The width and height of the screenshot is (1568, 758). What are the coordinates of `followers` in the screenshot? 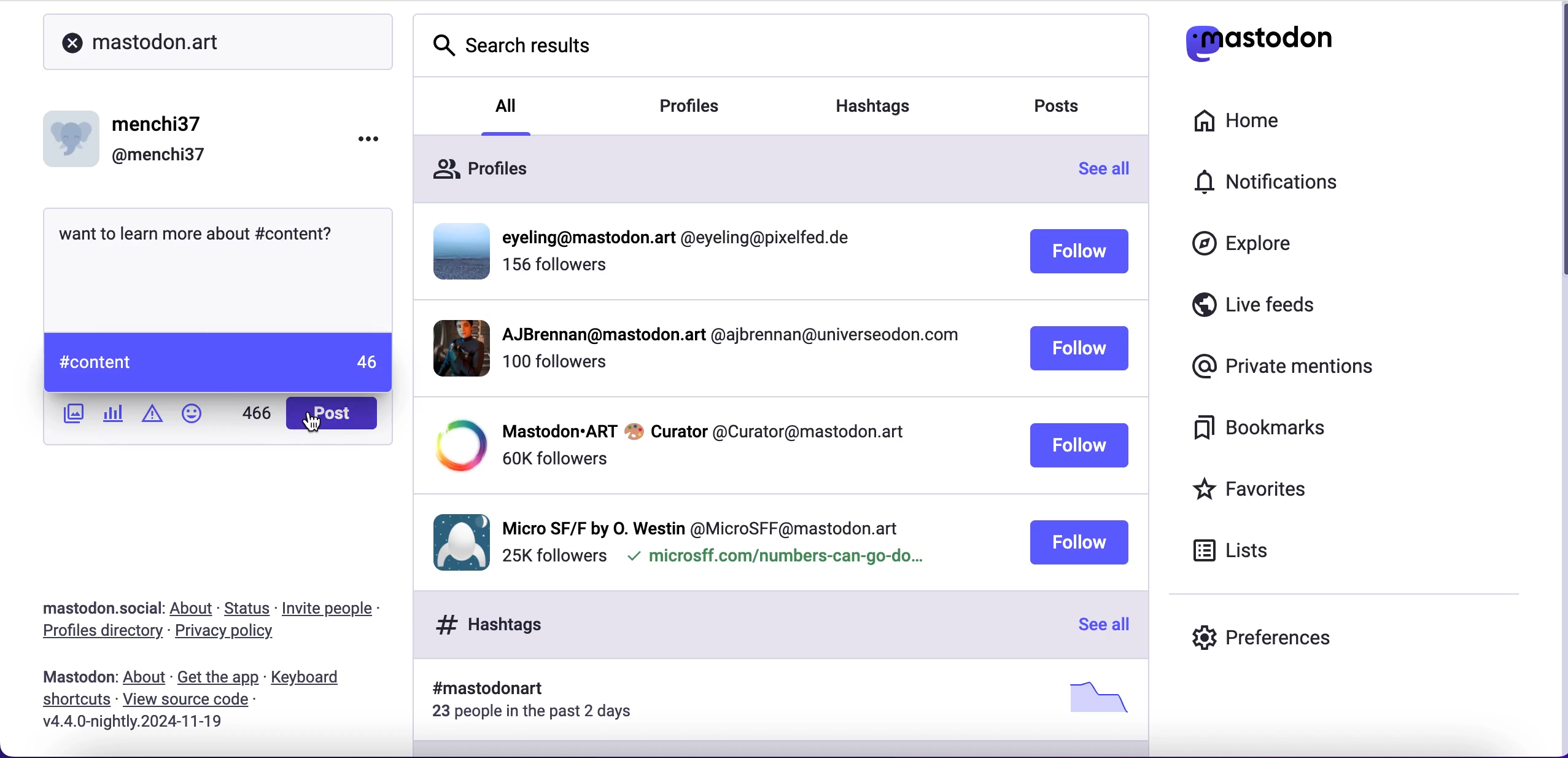 It's located at (554, 459).